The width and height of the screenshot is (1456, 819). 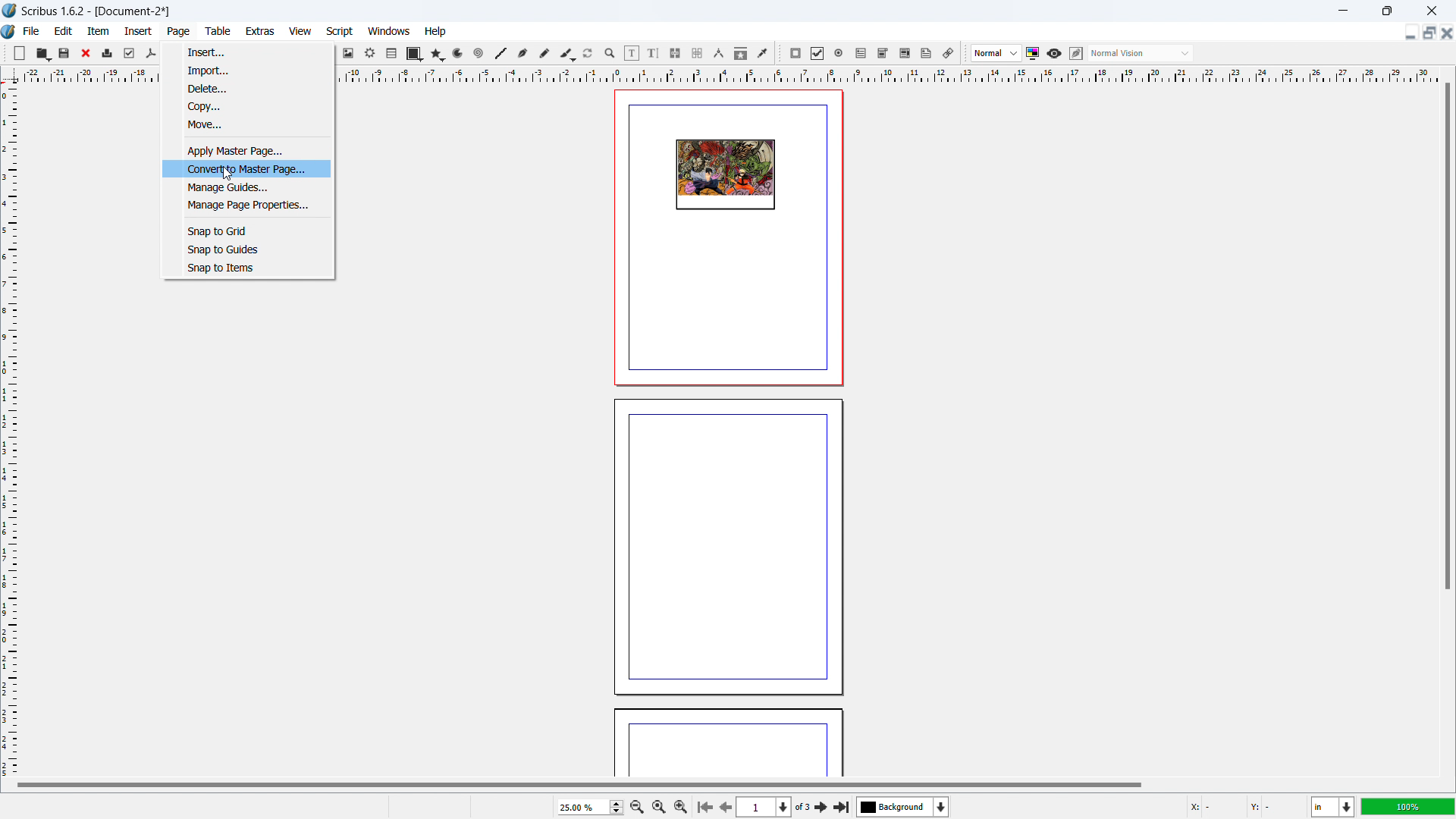 I want to click on extras, so click(x=261, y=31).